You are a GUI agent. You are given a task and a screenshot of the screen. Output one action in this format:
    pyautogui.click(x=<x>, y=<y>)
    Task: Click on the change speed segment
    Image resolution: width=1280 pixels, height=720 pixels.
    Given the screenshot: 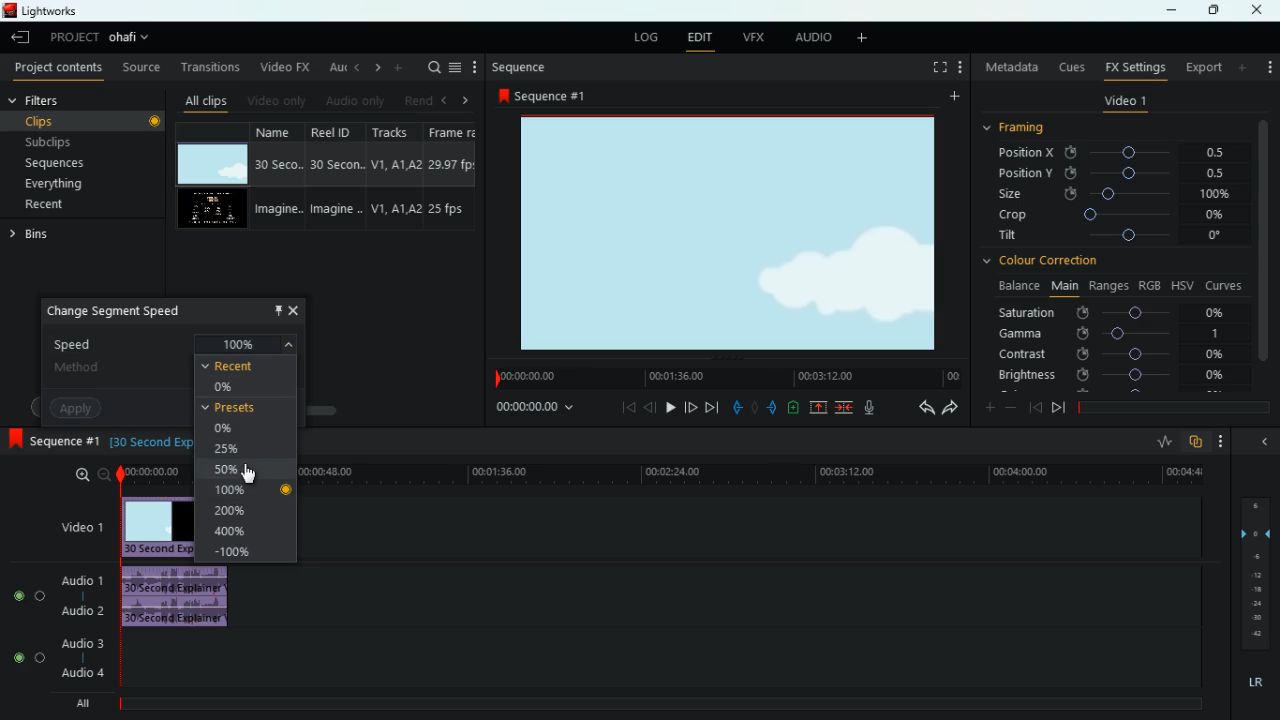 What is the action you would take?
    pyautogui.click(x=125, y=313)
    